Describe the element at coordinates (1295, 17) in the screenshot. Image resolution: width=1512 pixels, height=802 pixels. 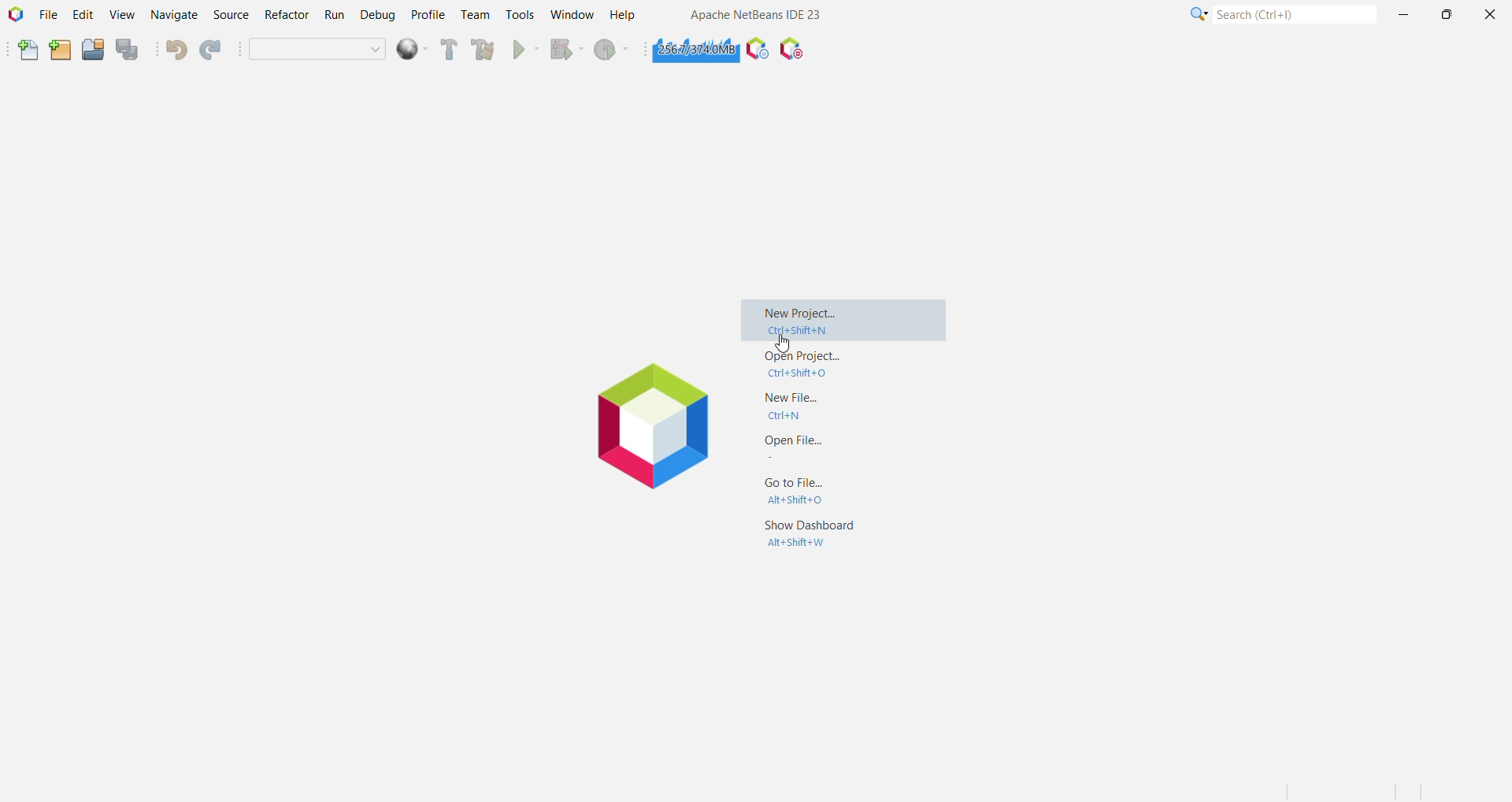
I see `Search` at that location.